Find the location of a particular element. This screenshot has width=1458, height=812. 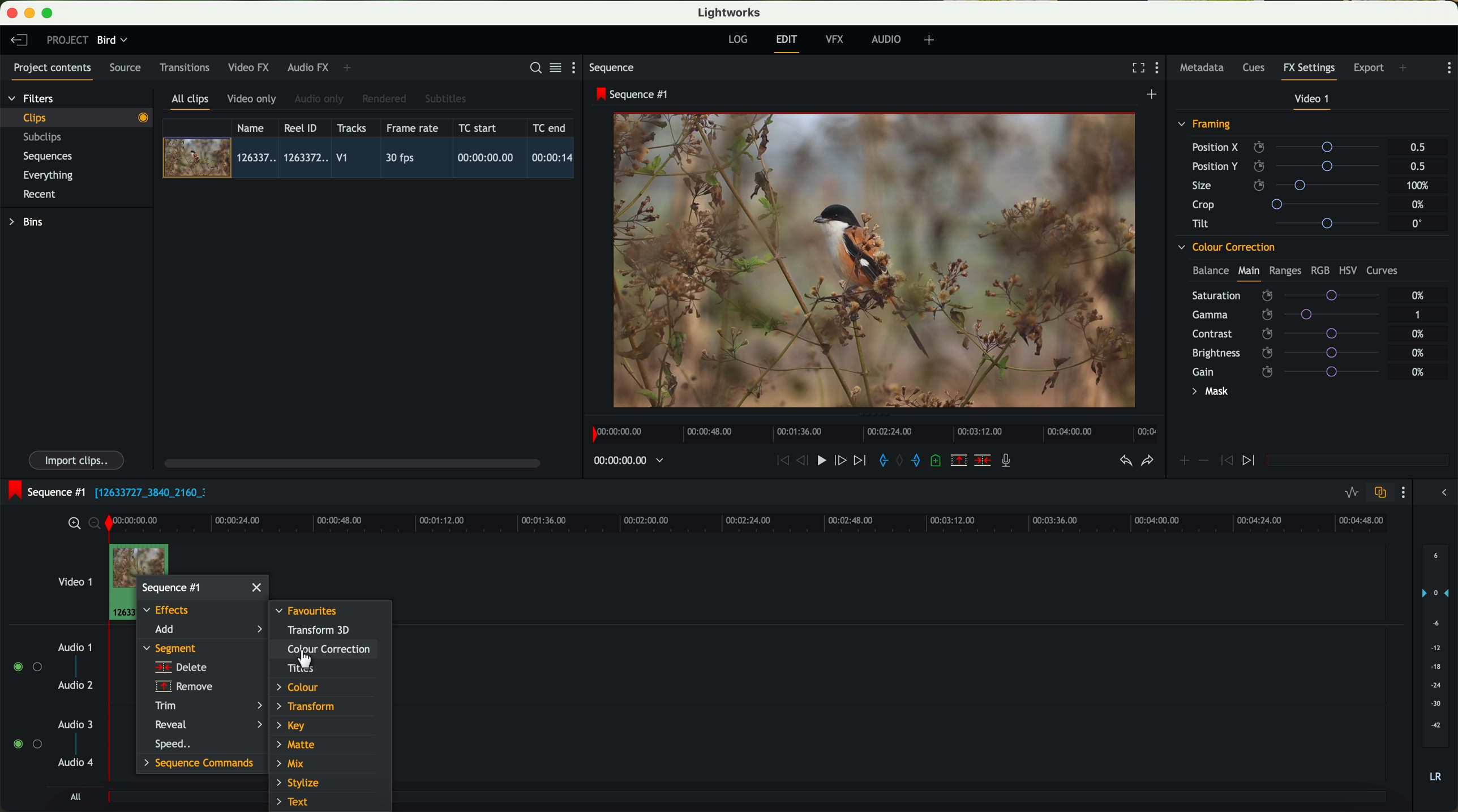

zoom out is located at coordinates (96, 525).